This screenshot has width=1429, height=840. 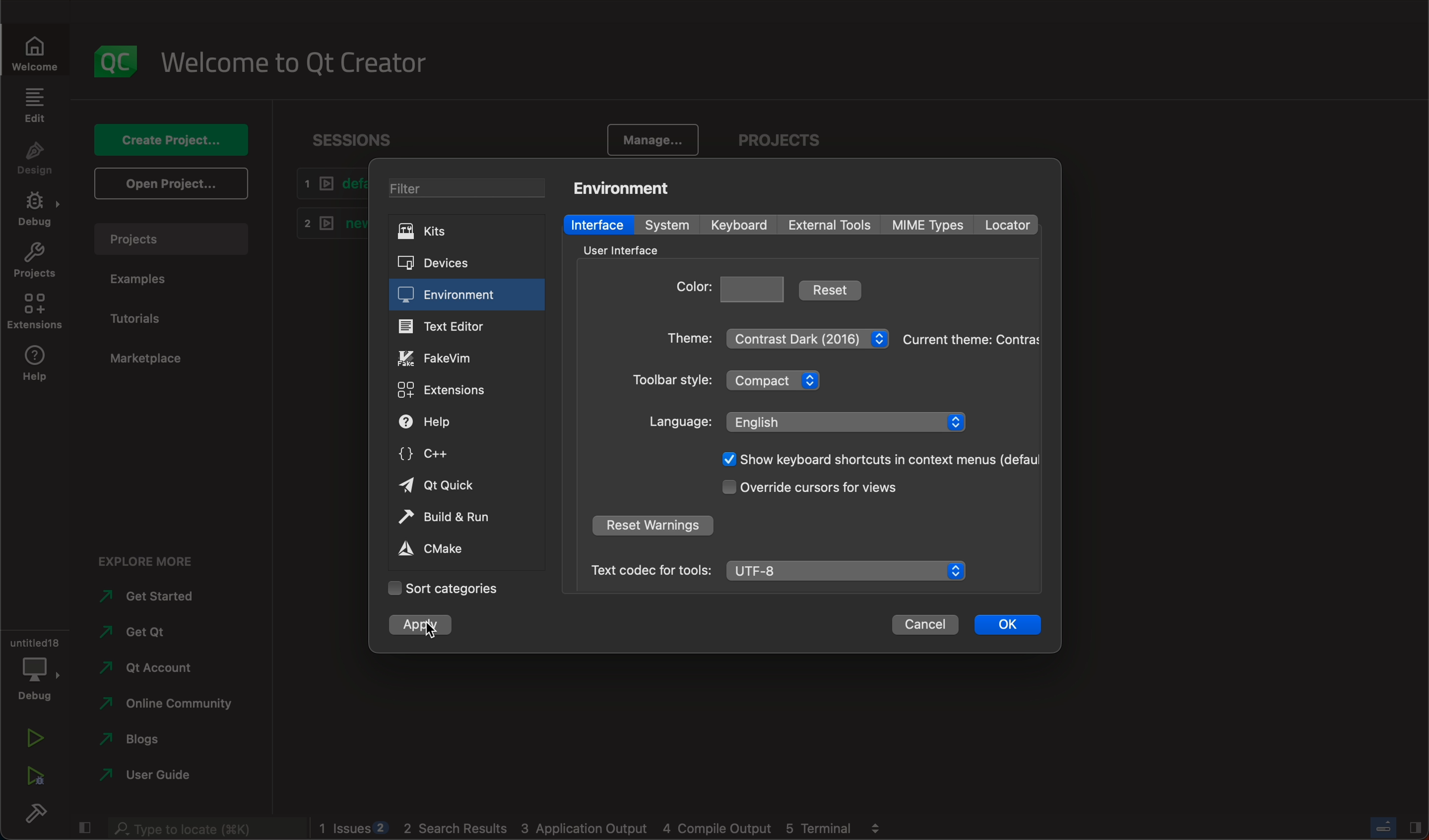 I want to click on design, so click(x=35, y=160).